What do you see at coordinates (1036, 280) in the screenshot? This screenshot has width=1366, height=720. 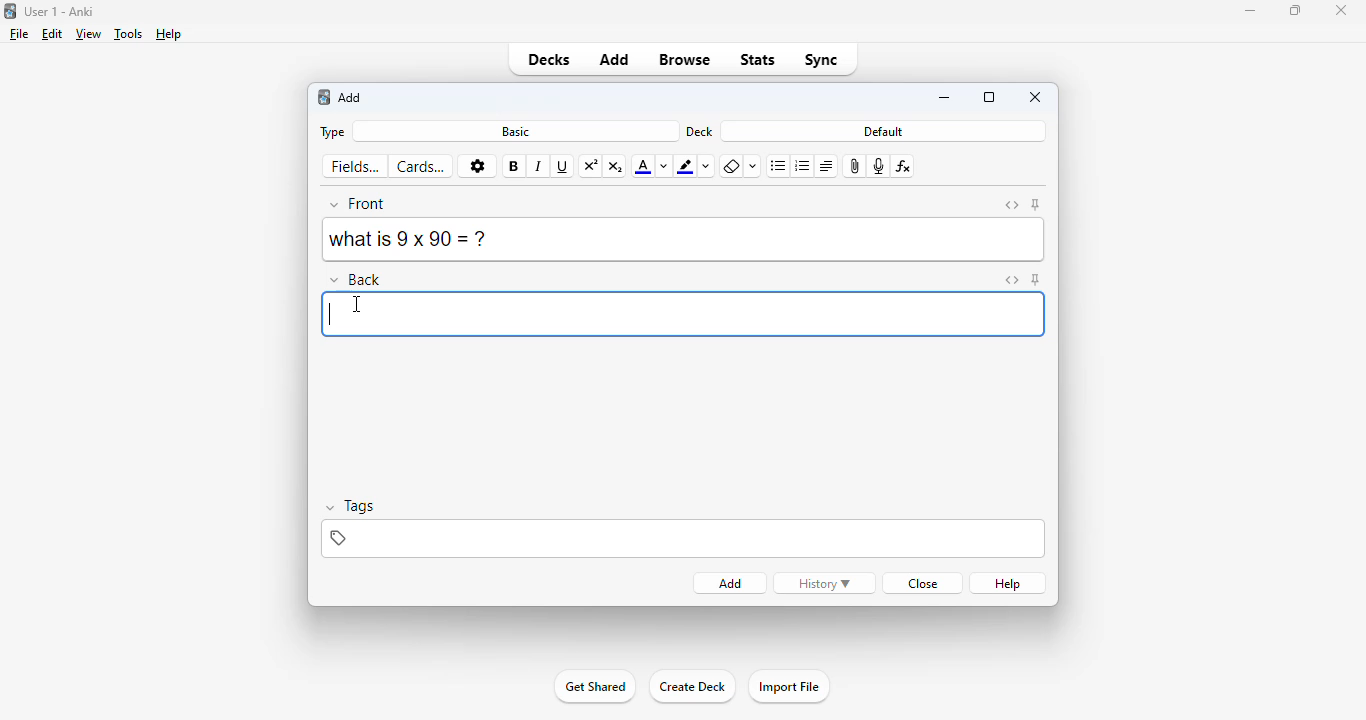 I see `toggle sticky` at bounding box center [1036, 280].